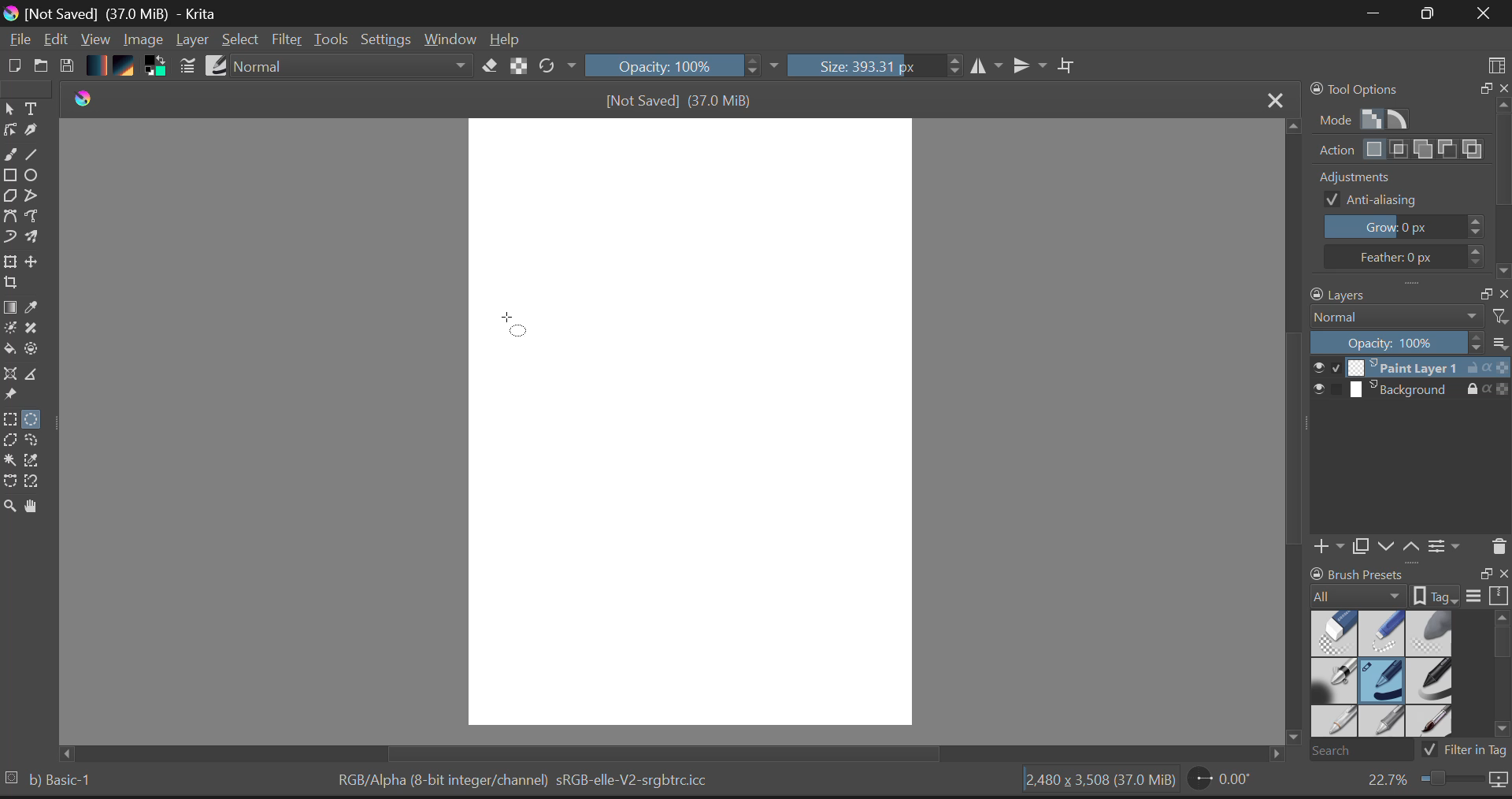  What do you see at coordinates (13, 262) in the screenshot?
I see `Transform Layers` at bounding box center [13, 262].